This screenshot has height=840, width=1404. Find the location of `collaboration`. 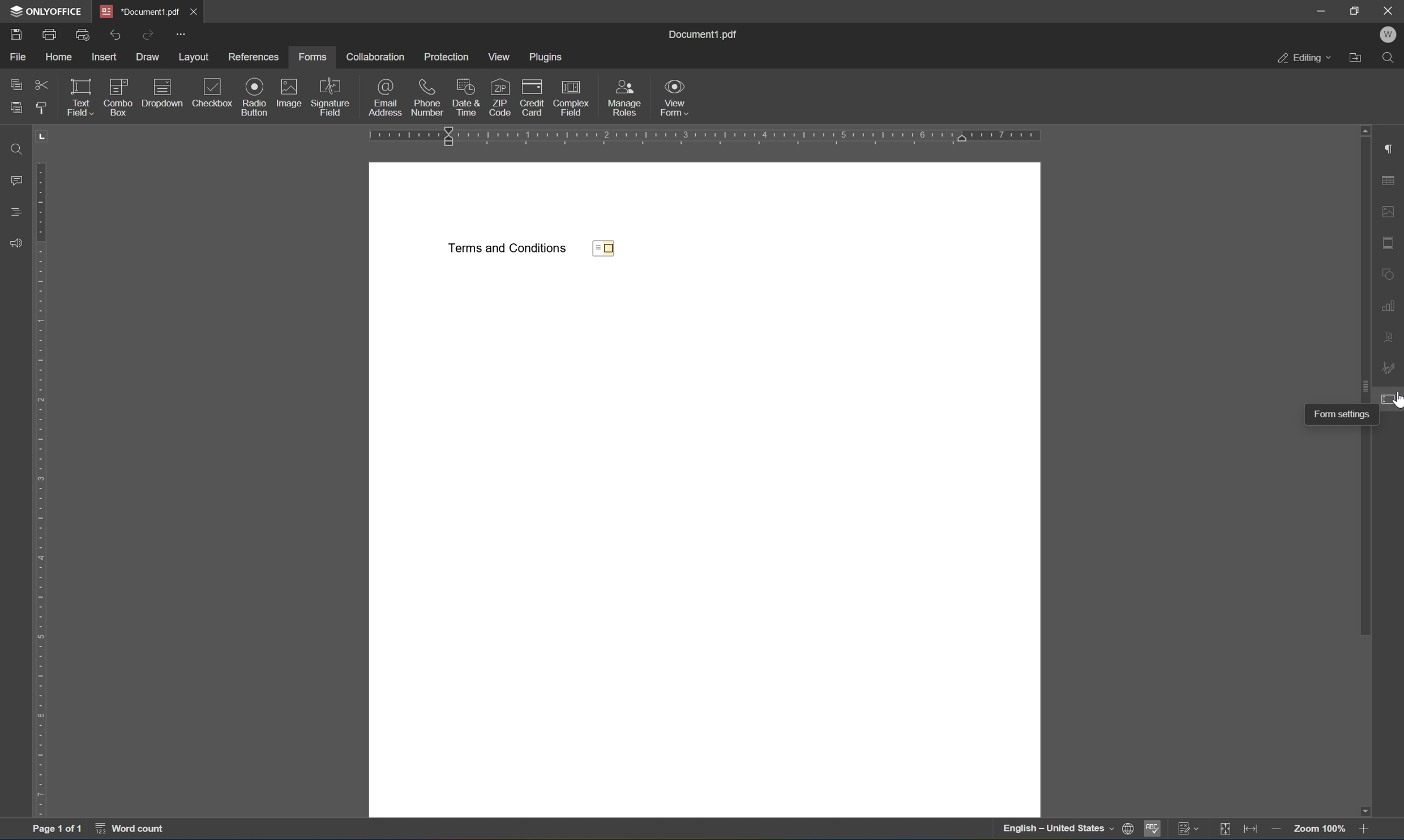

collaboration is located at coordinates (375, 57).